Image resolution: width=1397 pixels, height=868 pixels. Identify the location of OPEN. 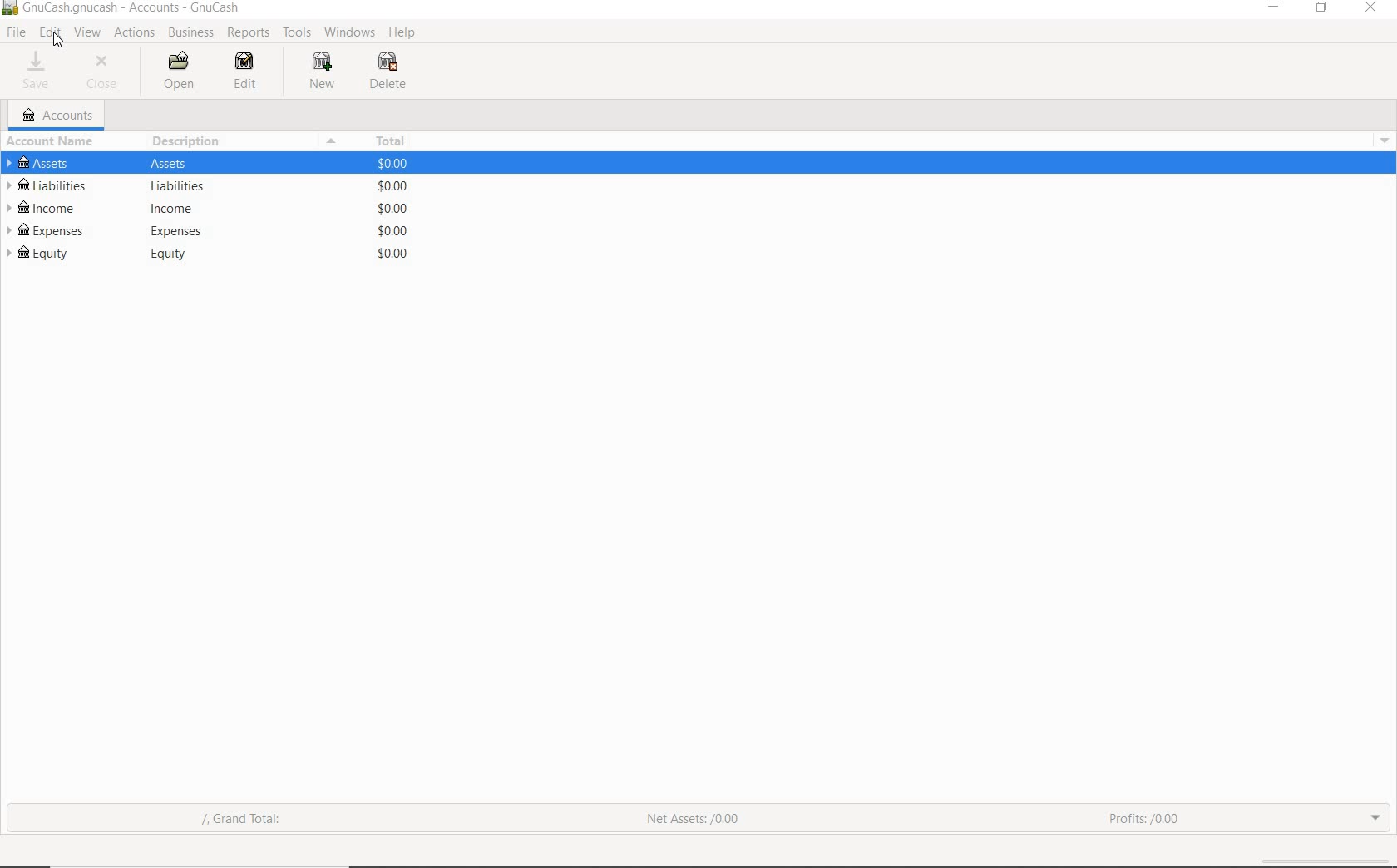
(182, 72).